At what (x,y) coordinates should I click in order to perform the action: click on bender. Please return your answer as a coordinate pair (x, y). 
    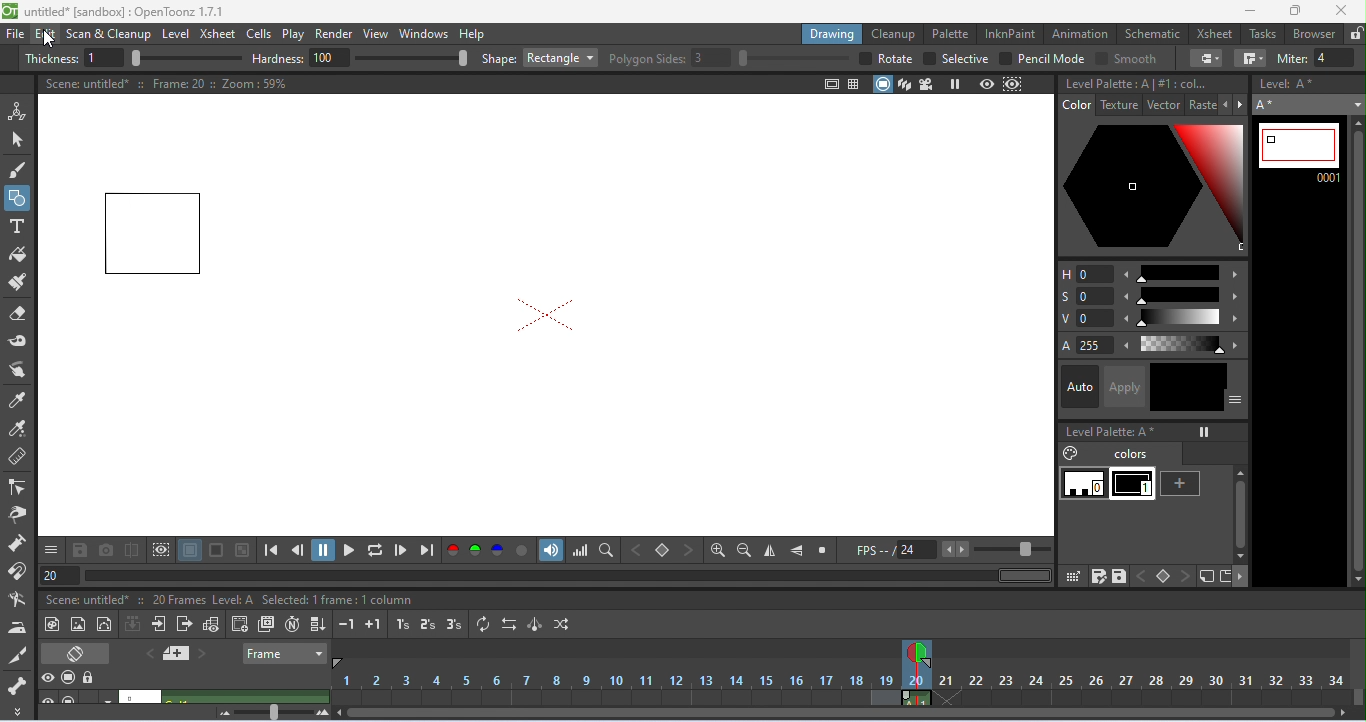
    Looking at the image, I should click on (19, 598).